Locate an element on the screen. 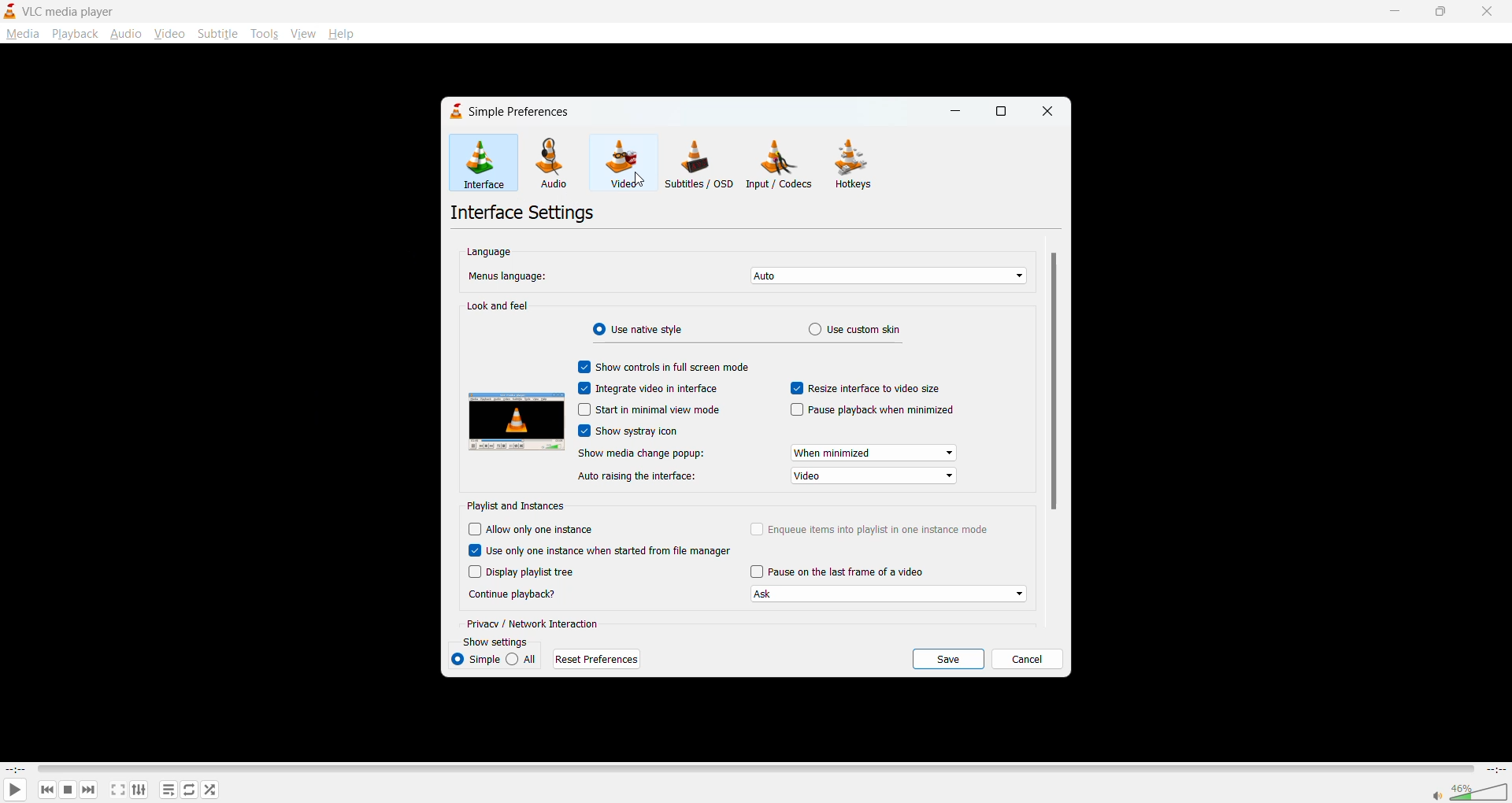 This screenshot has height=803, width=1512. video is located at coordinates (168, 34).